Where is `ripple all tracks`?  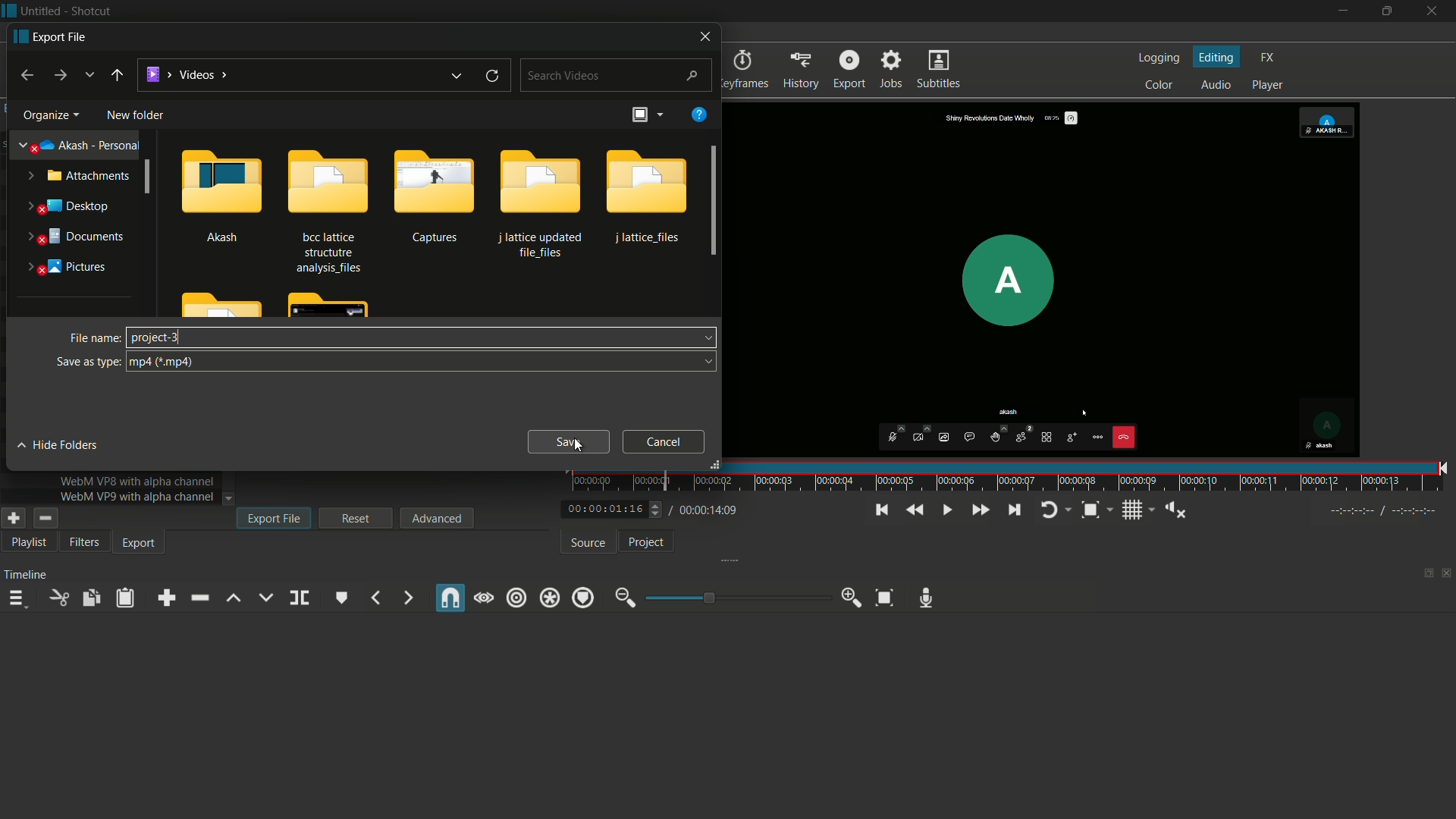
ripple all tracks is located at coordinates (551, 598).